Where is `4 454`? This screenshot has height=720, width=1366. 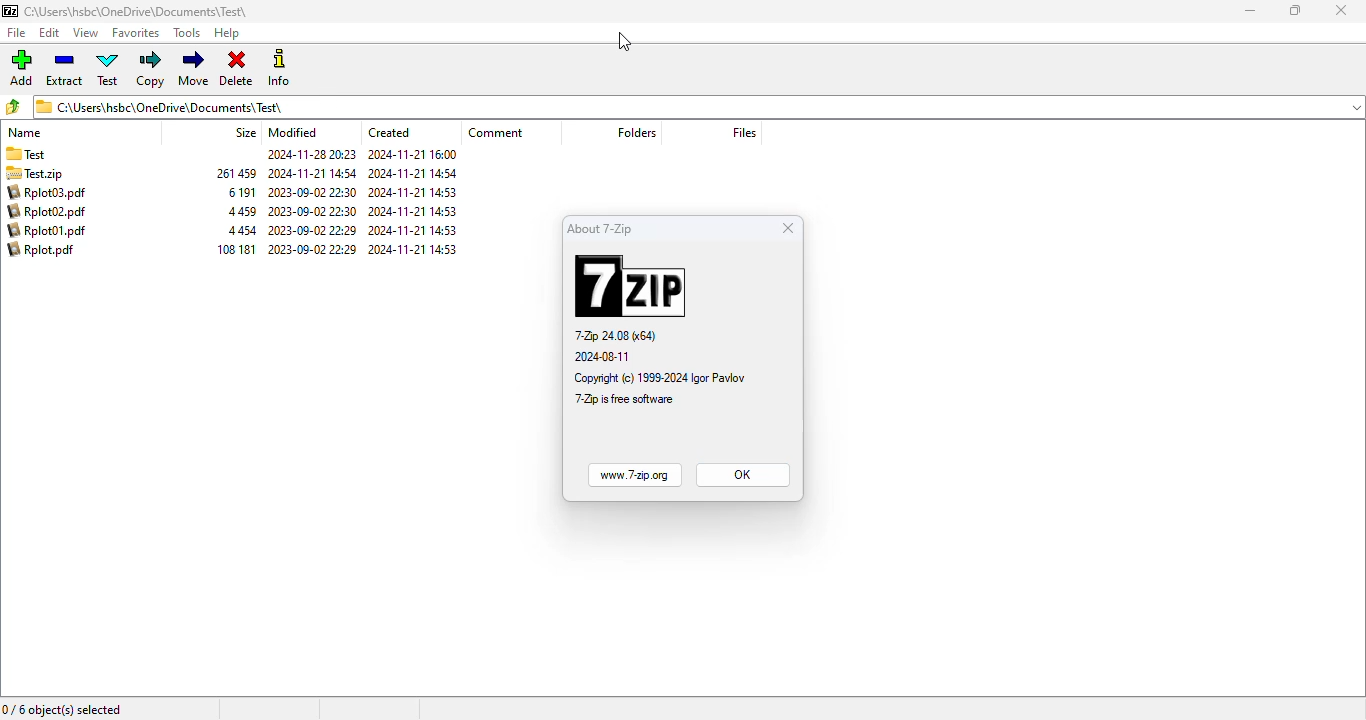
4 454 is located at coordinates (245, 231).